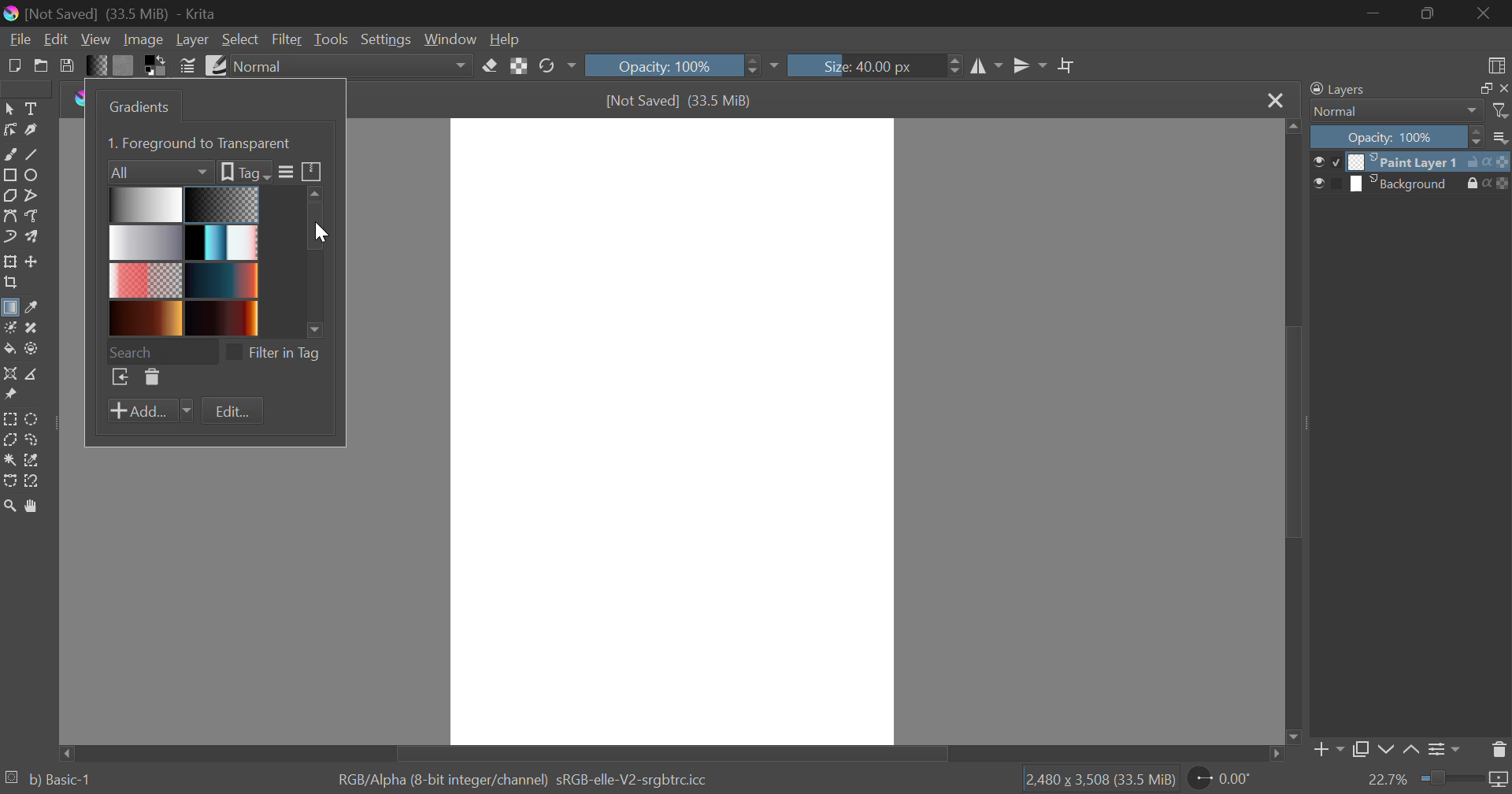  I want to click on Copy Layer, so click(1361, 752).